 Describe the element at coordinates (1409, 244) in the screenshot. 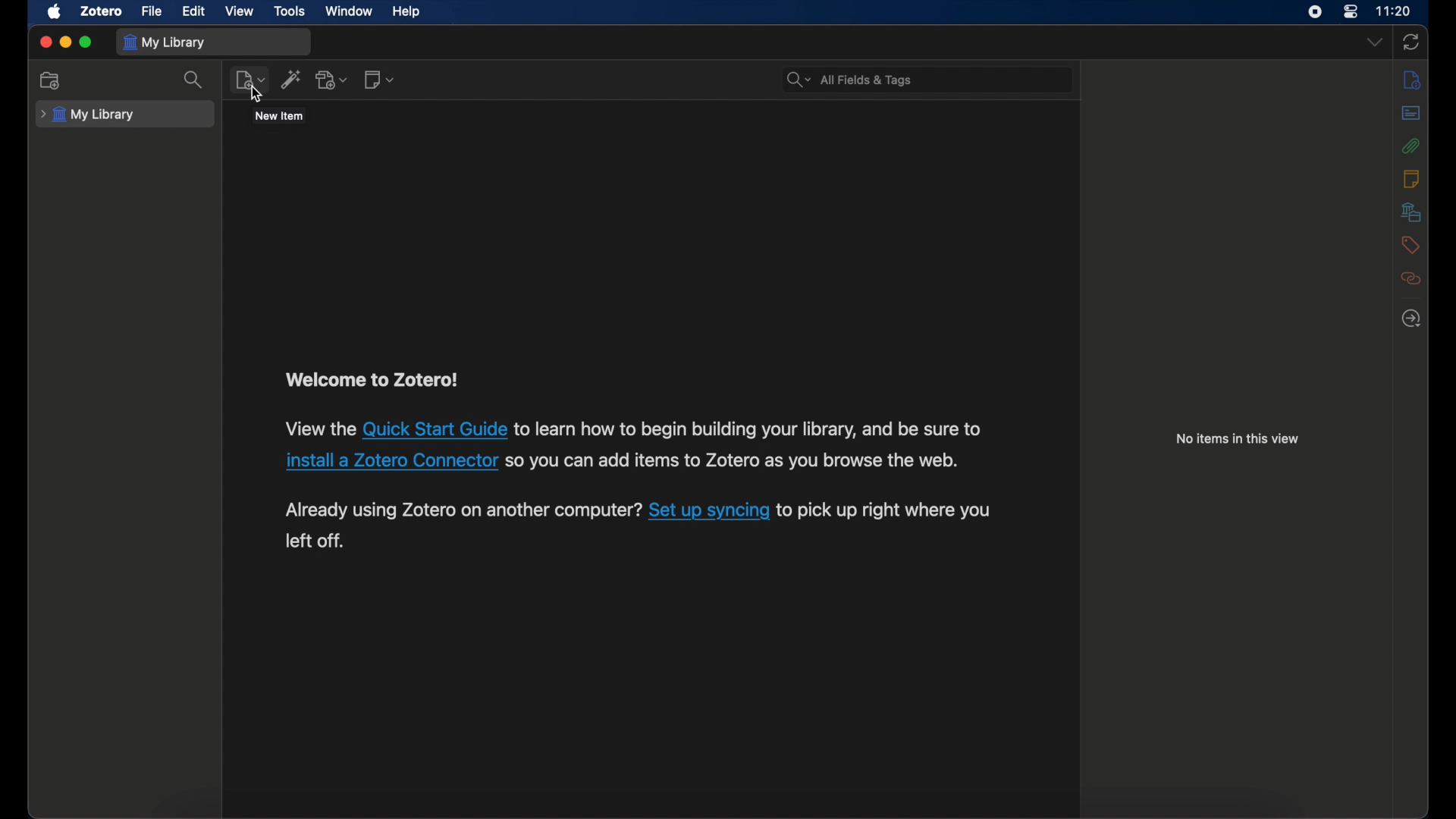

I see `tags` at that location.